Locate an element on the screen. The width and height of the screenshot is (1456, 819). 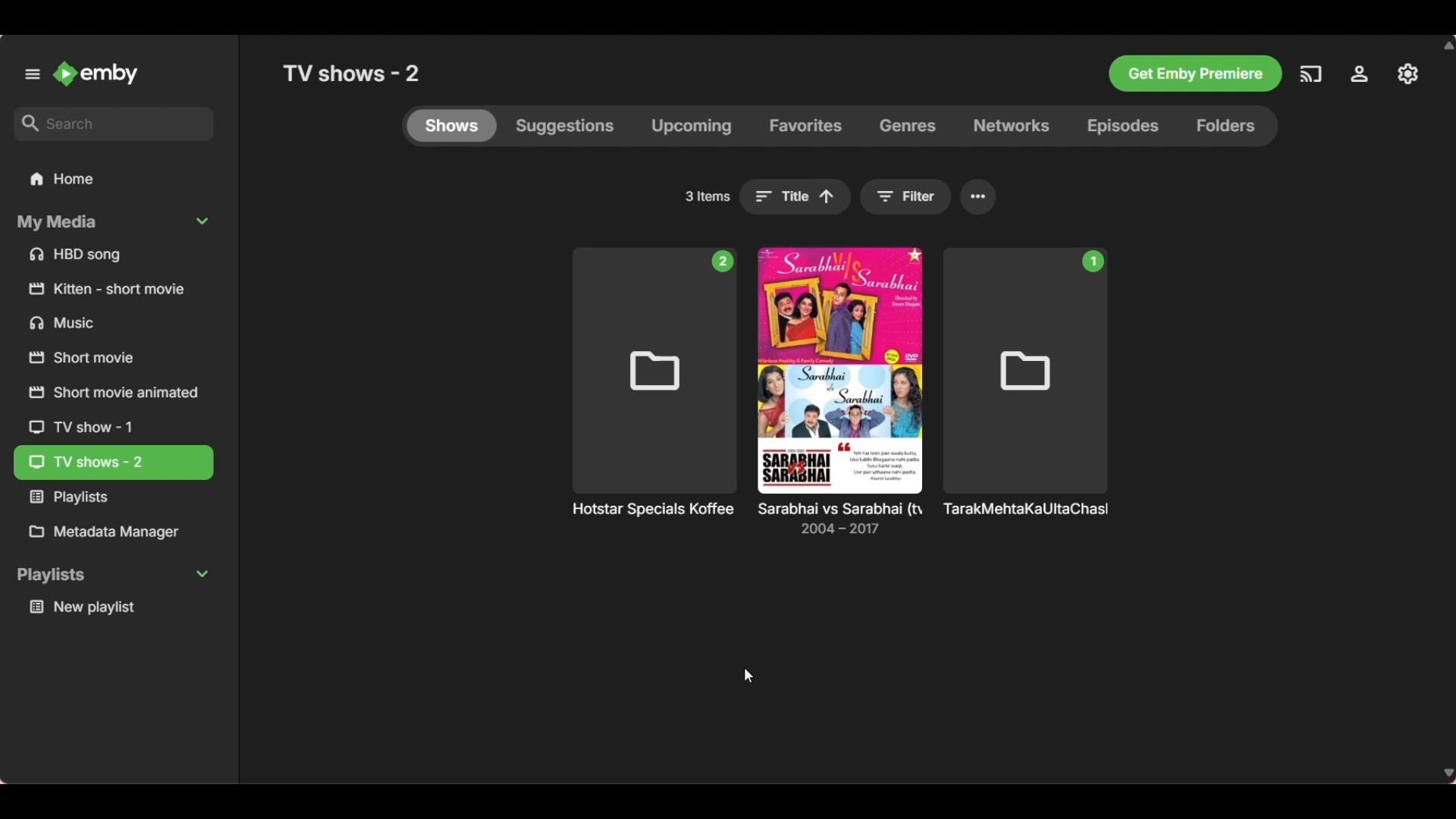
Collapse My Media is located at coordinates (112, 223).